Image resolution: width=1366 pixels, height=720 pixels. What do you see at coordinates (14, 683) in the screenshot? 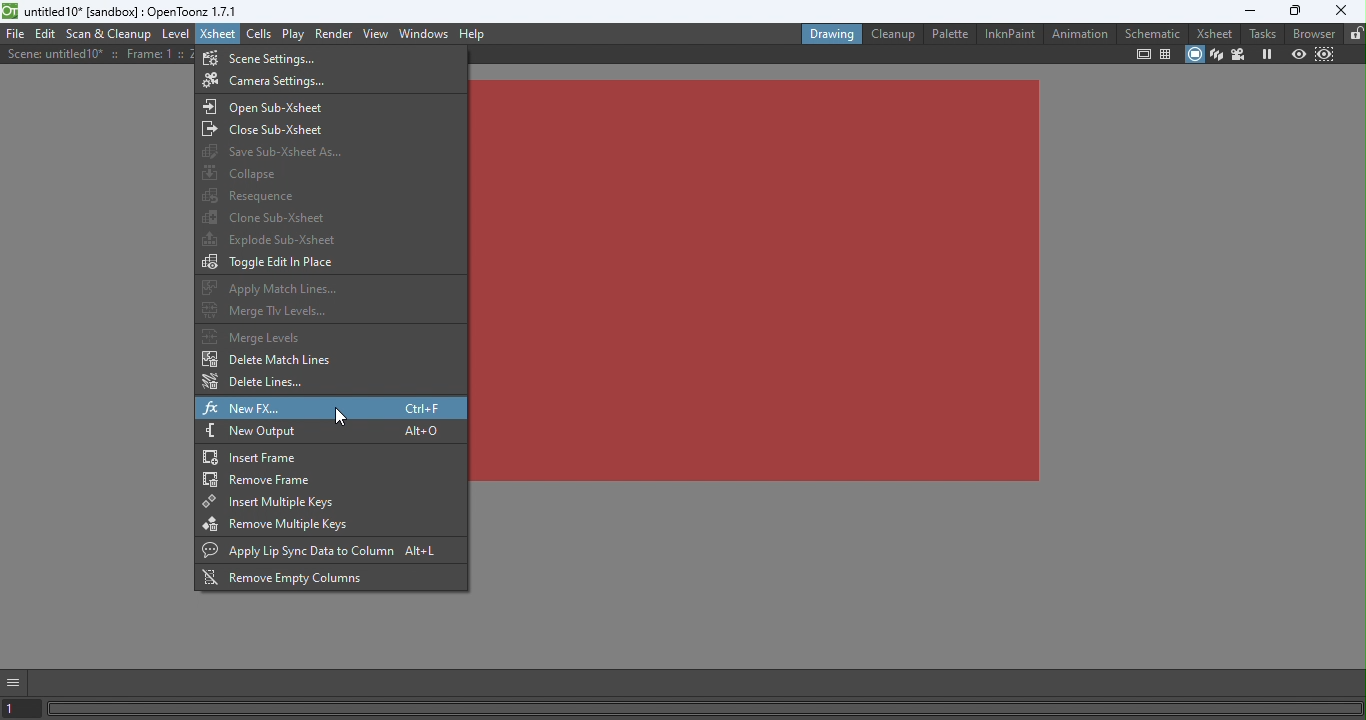
I see `GUI show/hide` at bounding box center [14, 683].